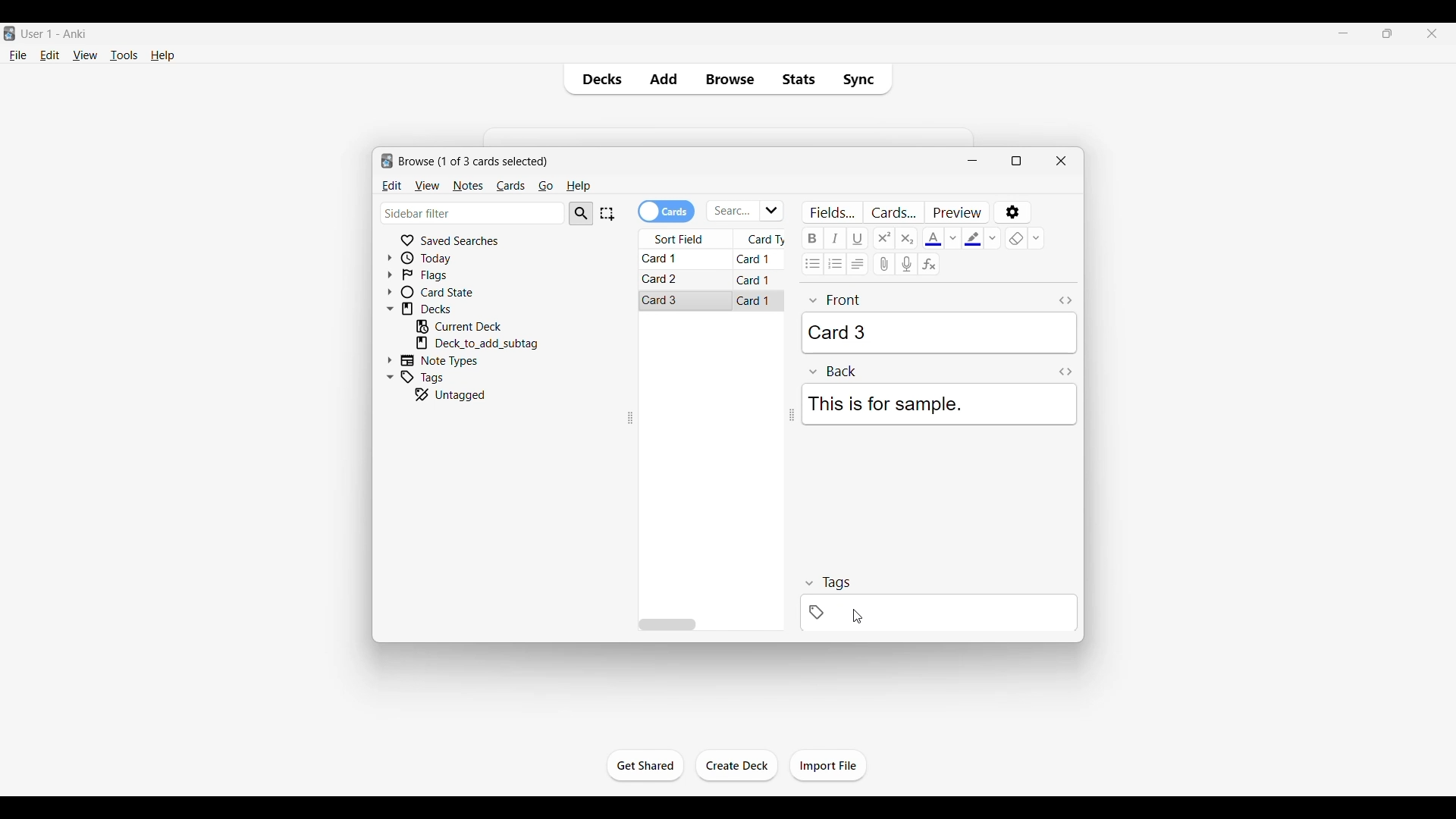 The height and width of the screenshot is (819, 1456). Describe the element at coordinates (581, 214) in the screenshot. I see `Search` at that location.